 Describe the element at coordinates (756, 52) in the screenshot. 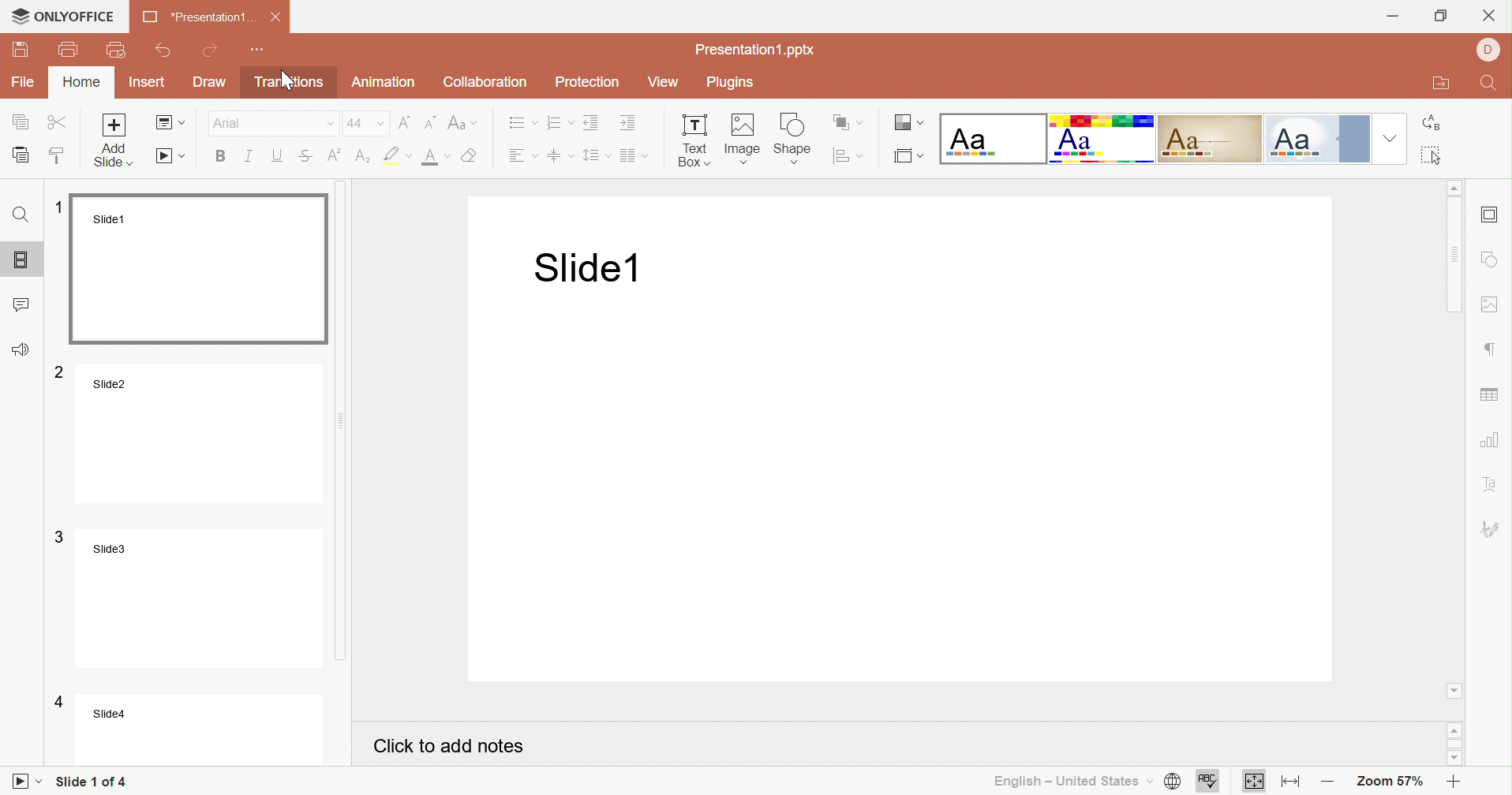

I see `Presentation1.pptx` at that location.